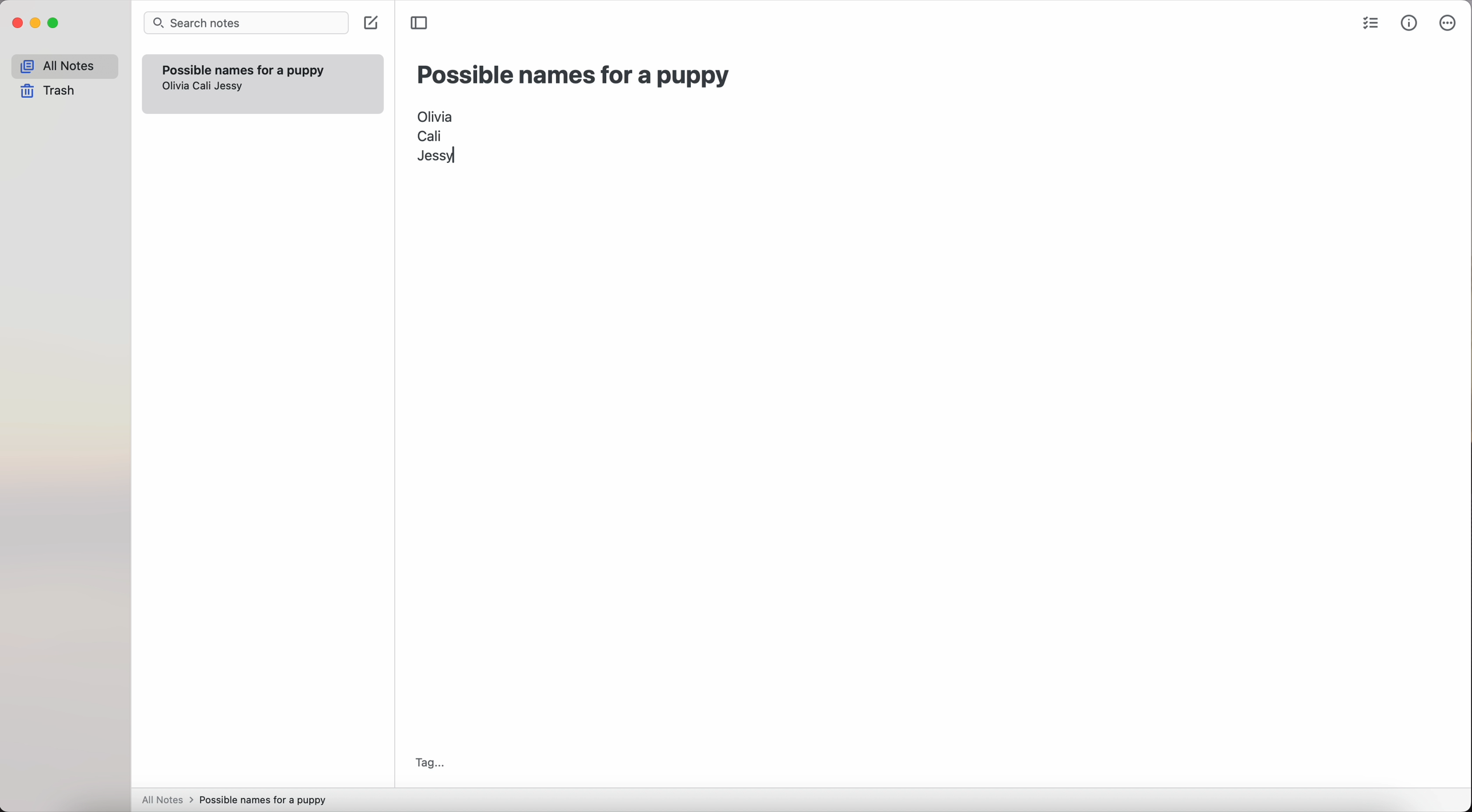 The height and width of the screenshot is (812, 1472). What do you see at coordinates (243, 68) in the screenshot?
I see `possible names for a puppy note` at bounding box center [243, 68].